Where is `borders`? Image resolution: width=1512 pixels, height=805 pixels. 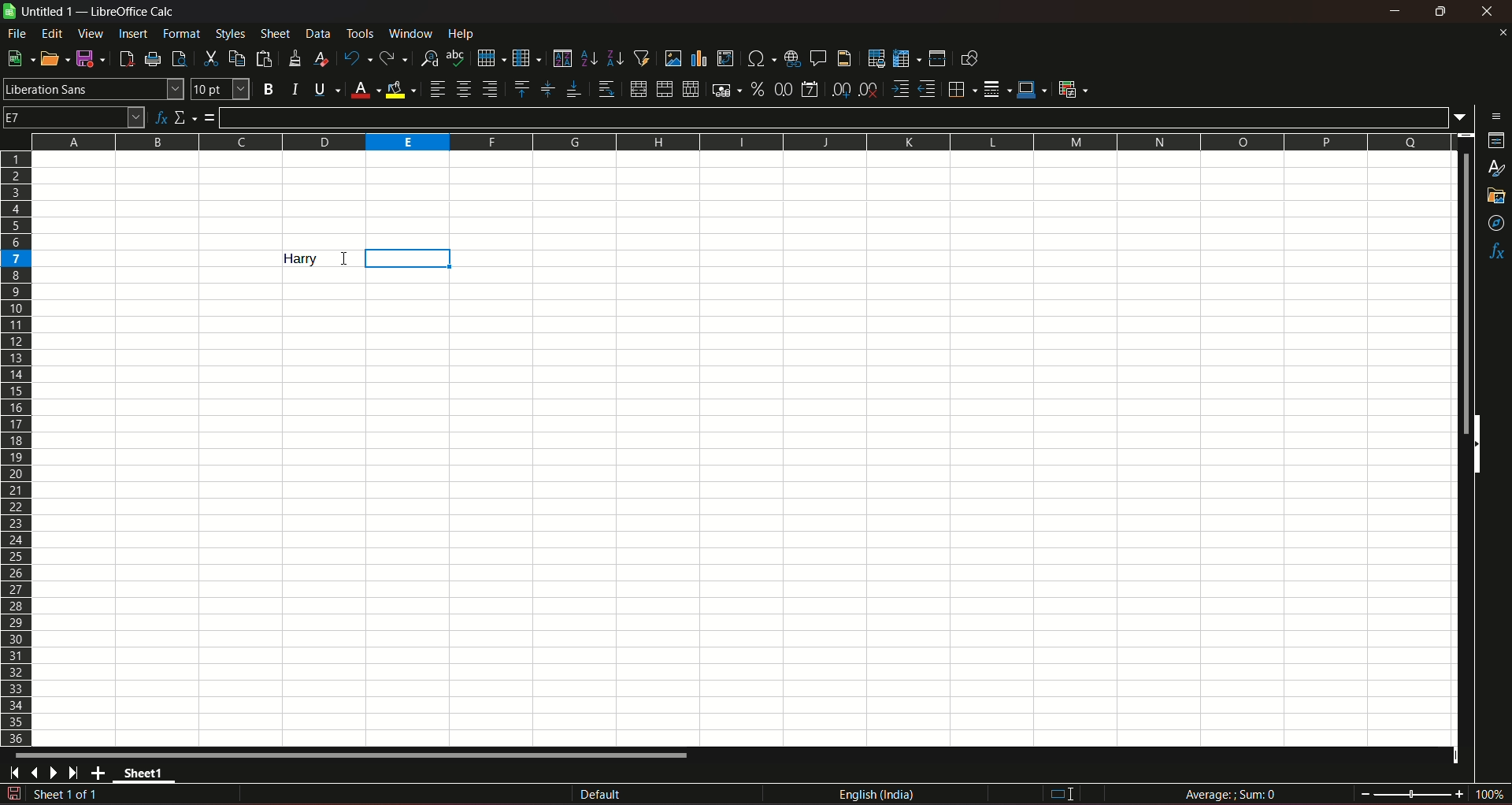 borders is located at coordinates (960, 89).